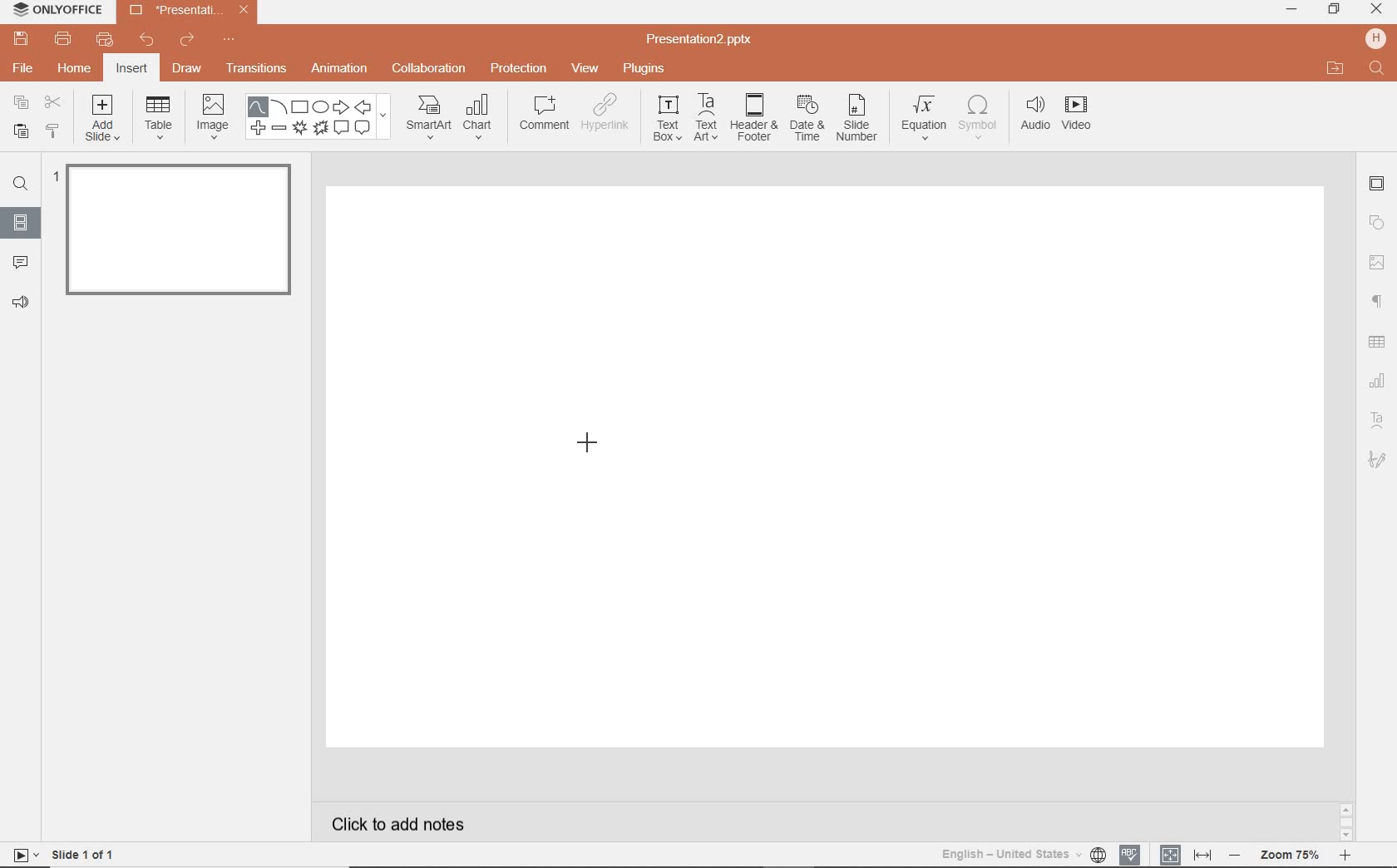  I want to click on ANIMATION, so click(343, 69).